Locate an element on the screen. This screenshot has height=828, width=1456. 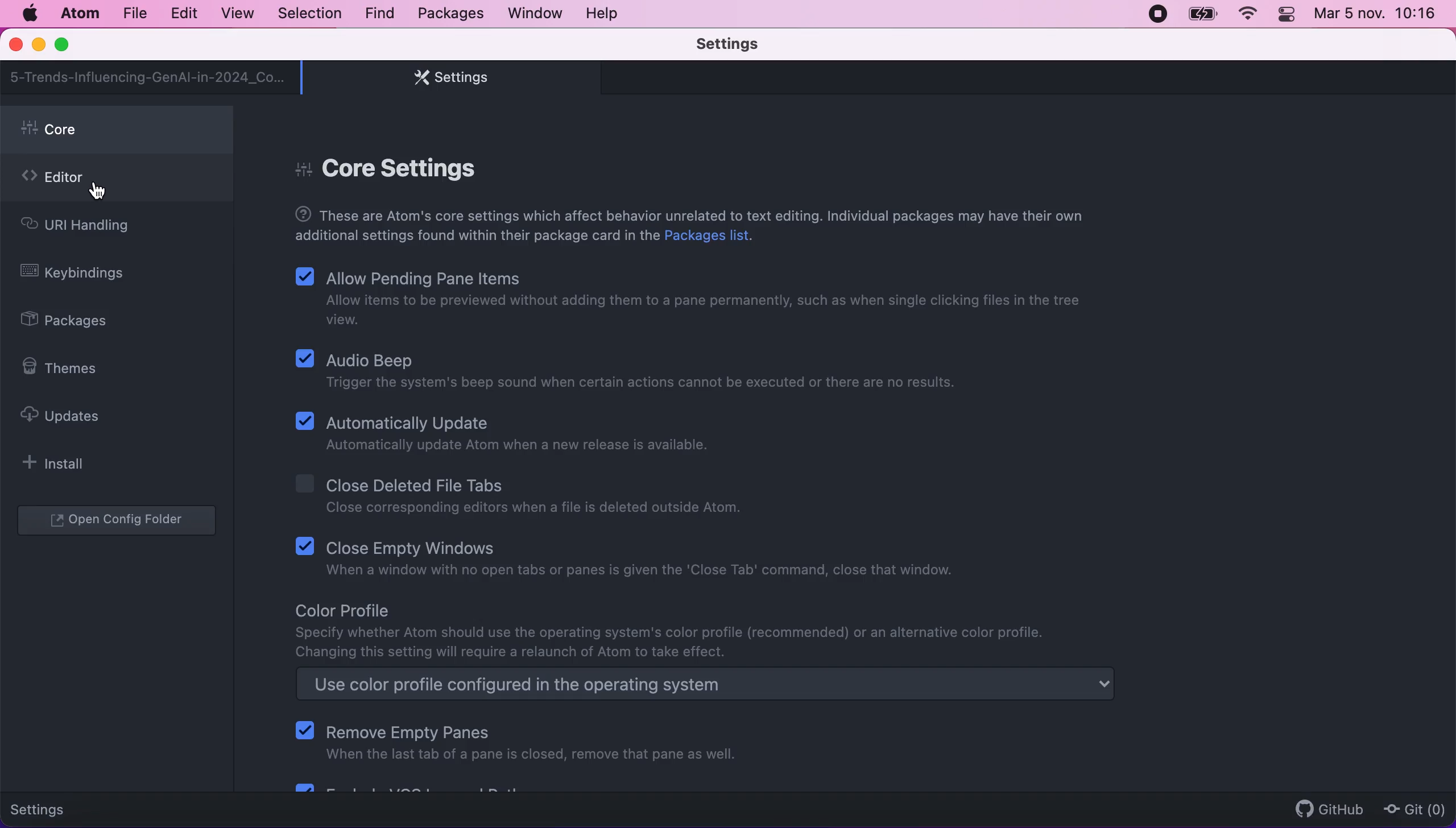
battery is located at coordinates (1202, 14).